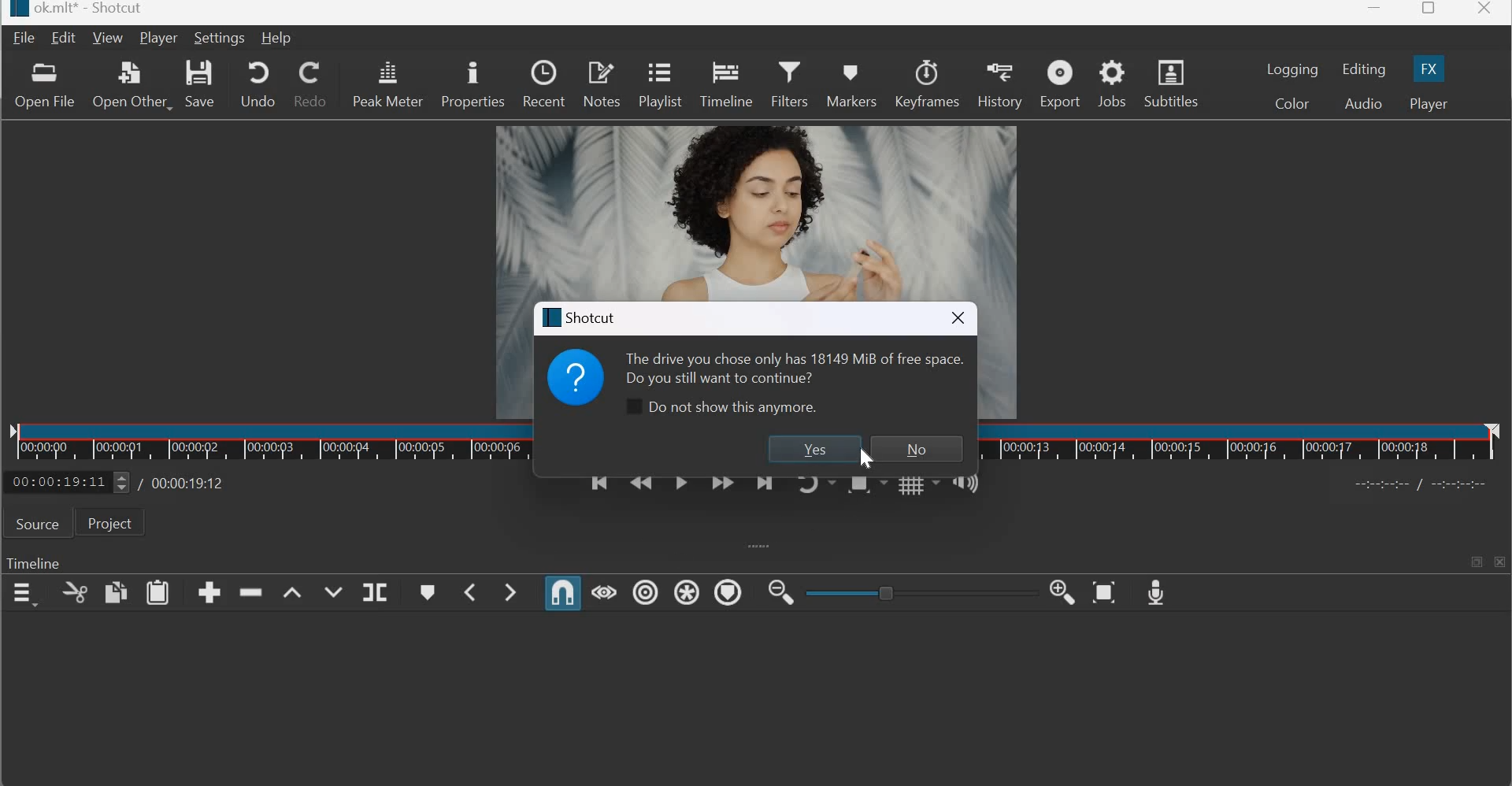  Describe the element at coordinates (815, 489) in the screenshot. I see `Toggle player looping` at that location.